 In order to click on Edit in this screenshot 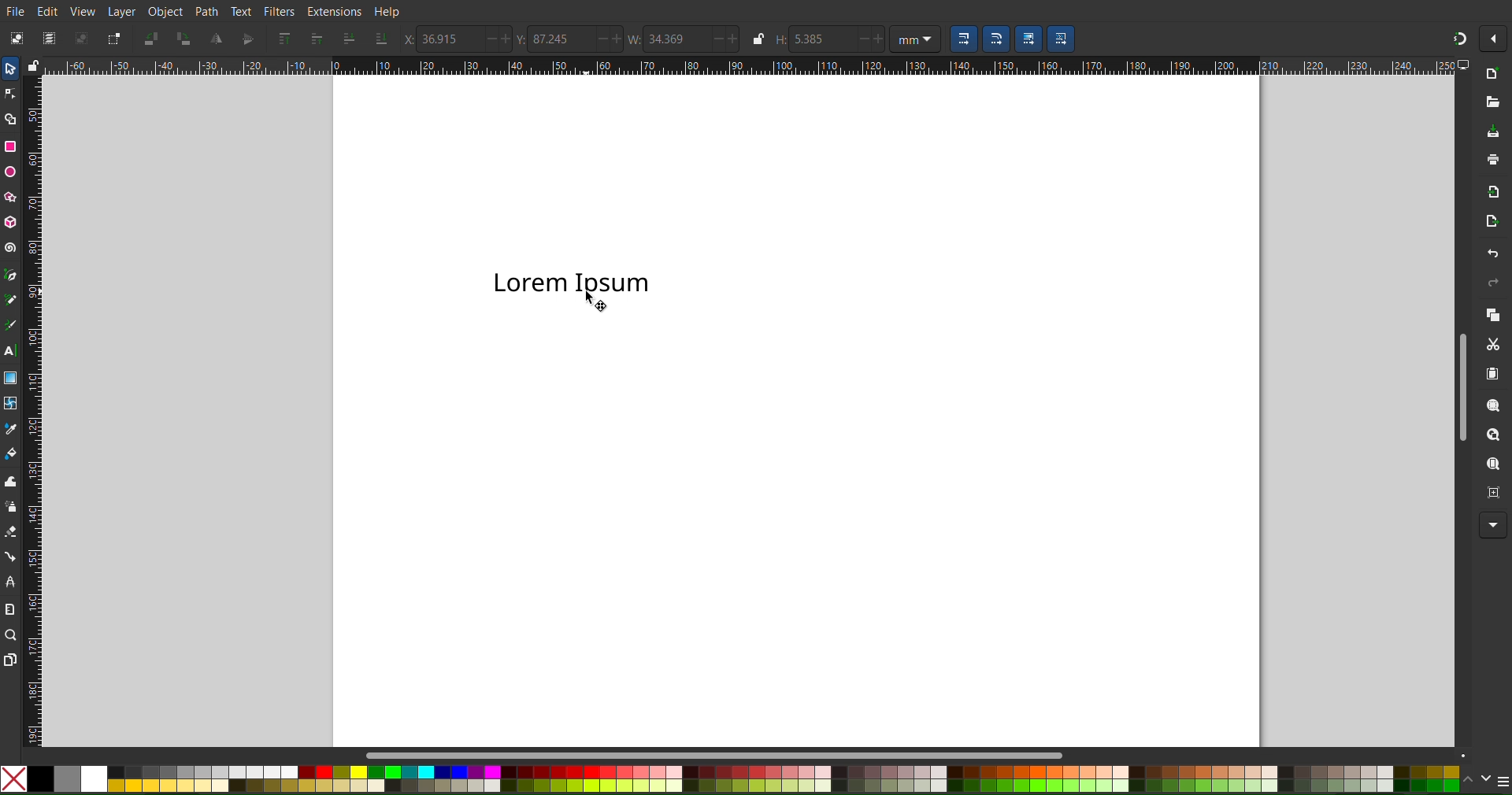, I will do `click(45, 11)`.